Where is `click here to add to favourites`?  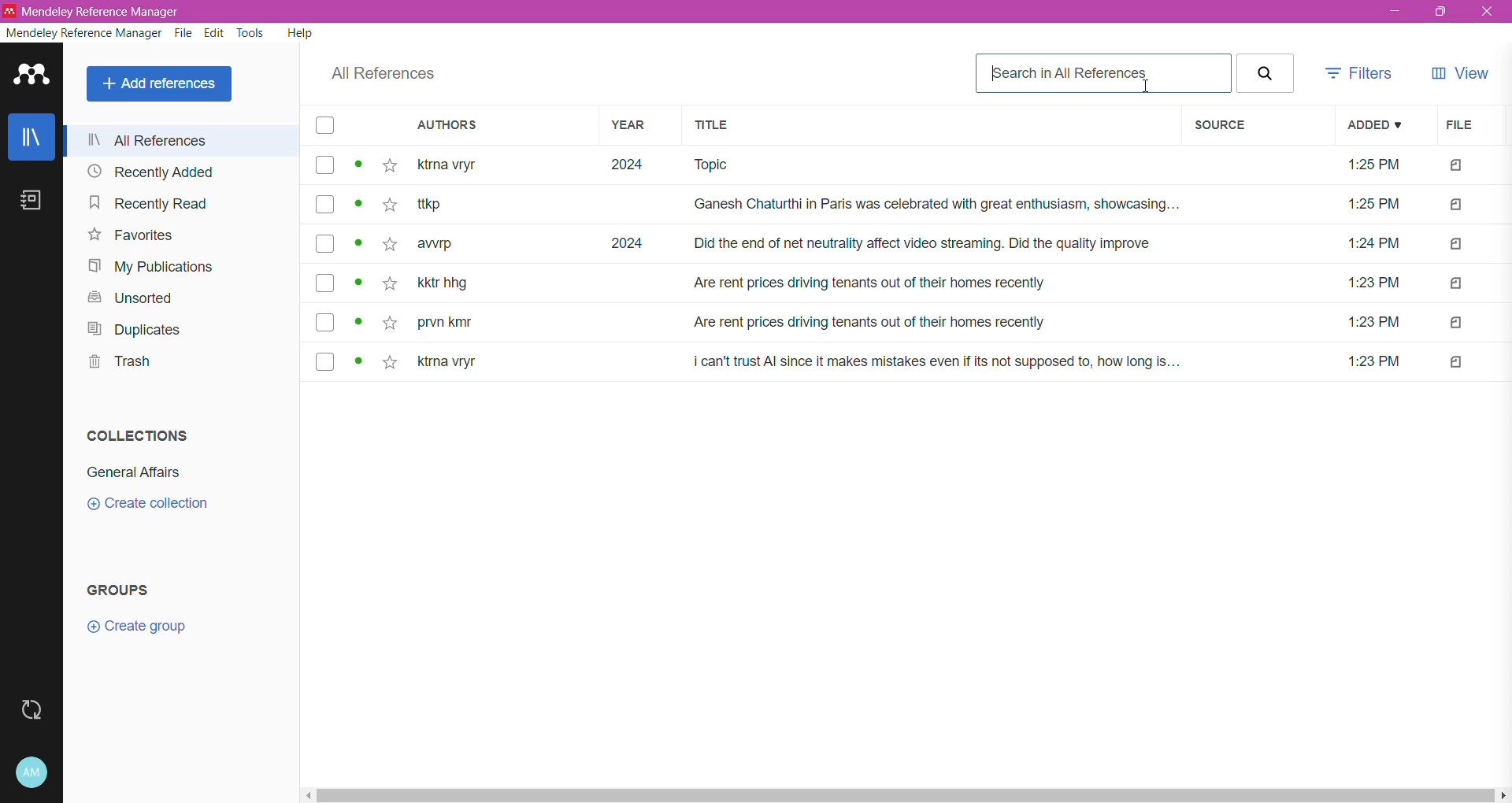
click here to add to favourites is located at coordinates (387, 322).